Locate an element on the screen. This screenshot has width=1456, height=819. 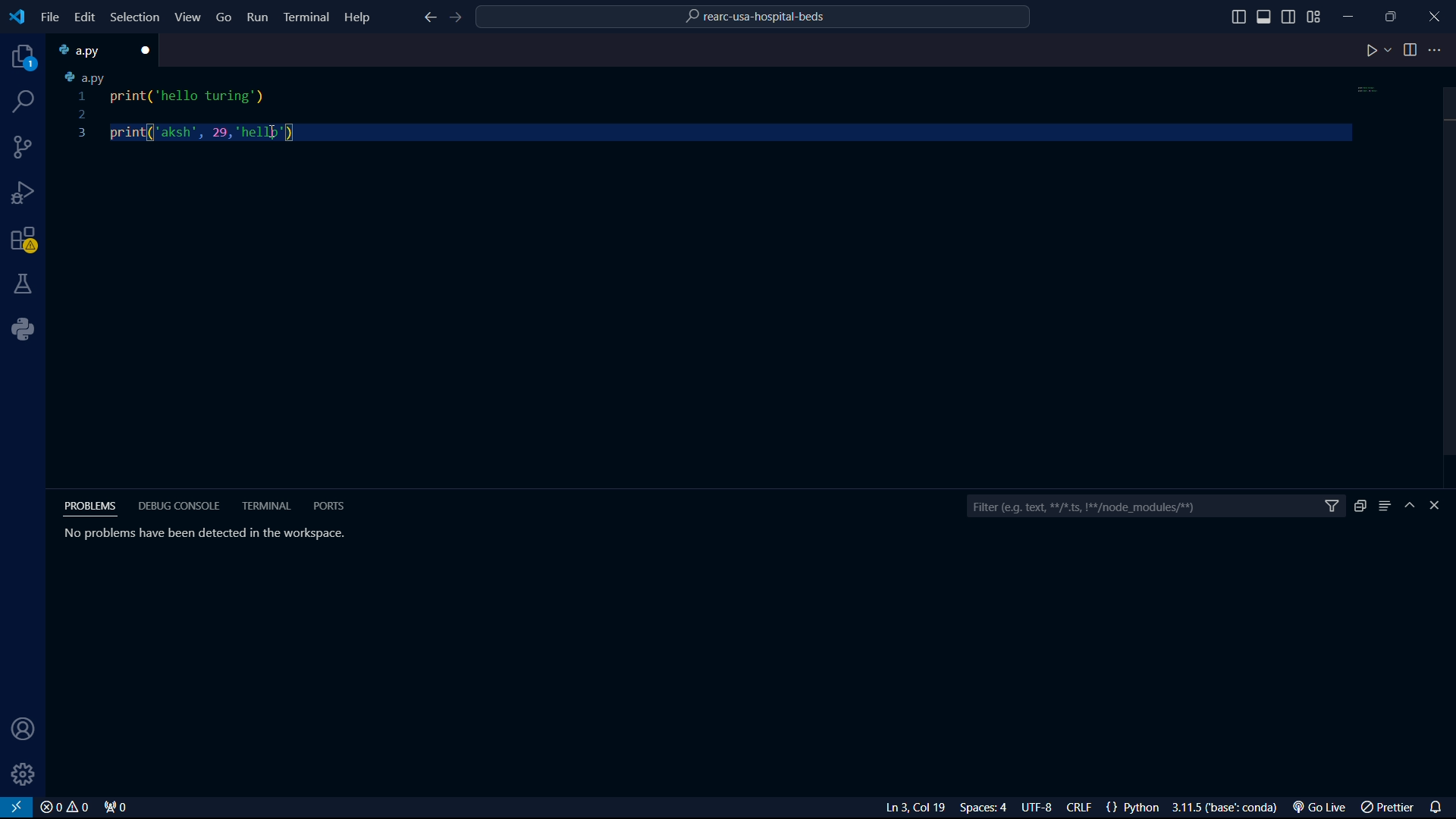
maximize is located at coordinates (1393, 16).